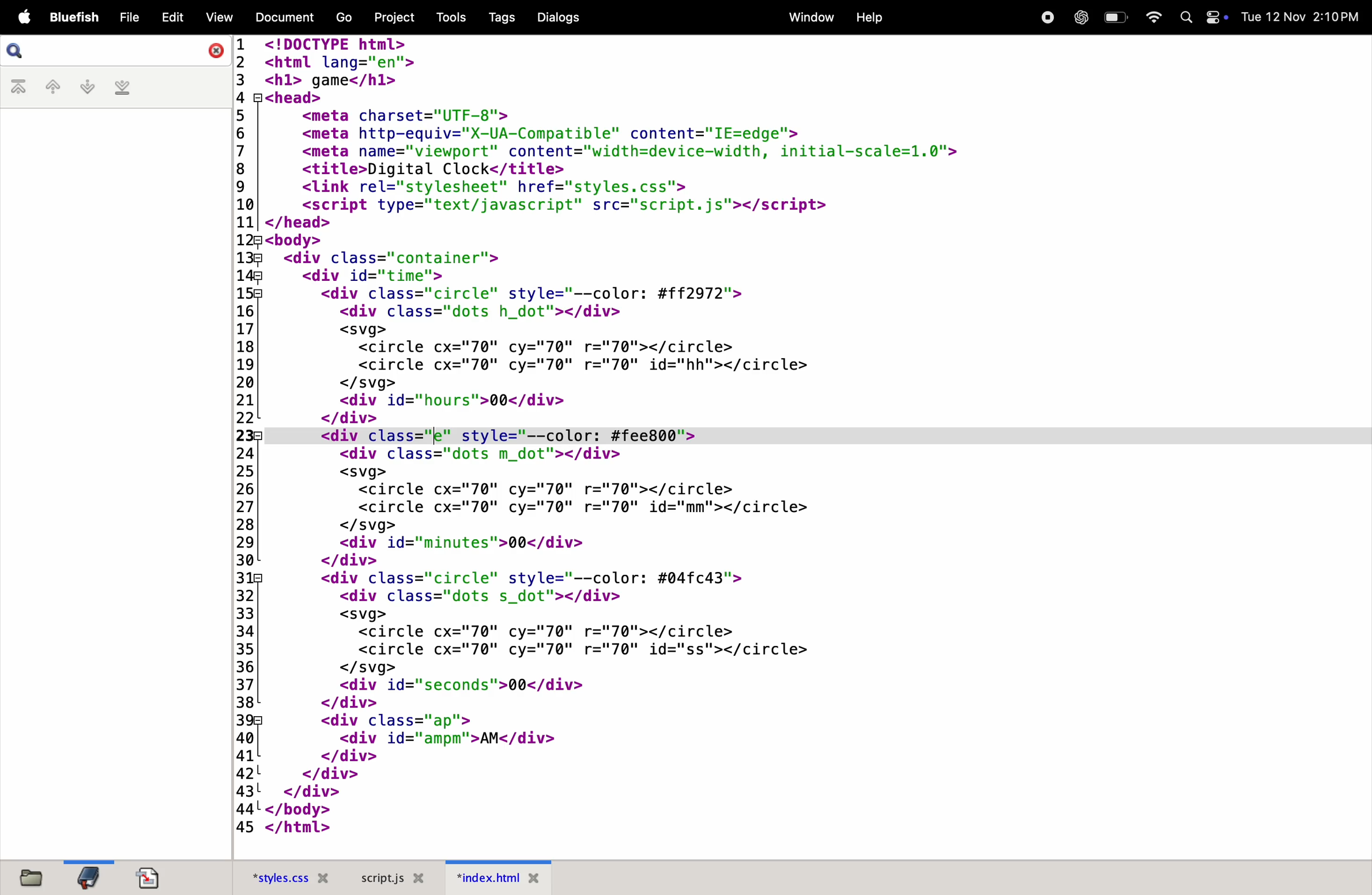 The width and height of the screenshot is (1372, 895). Describe the element at coordinates (1046, 17) in the screenshot. I see `record` at that location.